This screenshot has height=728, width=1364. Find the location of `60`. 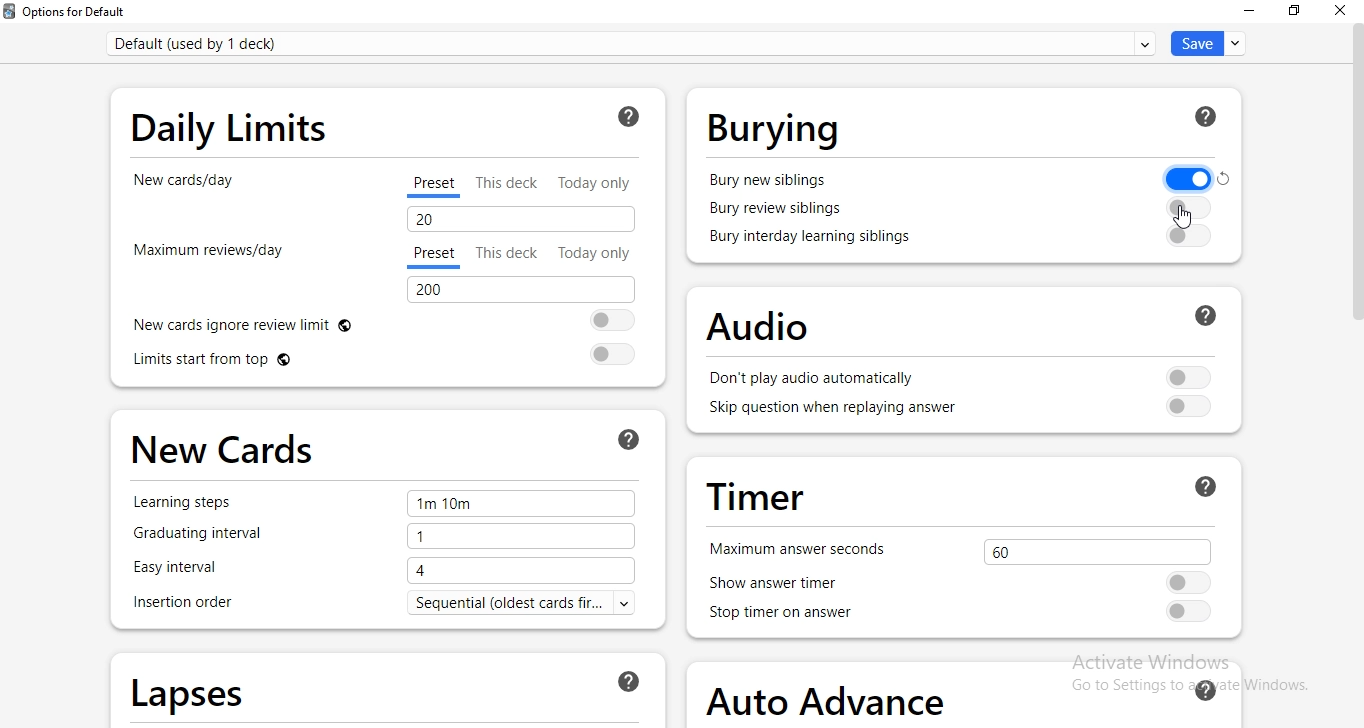

60 is located at coordinates (1094, 549).